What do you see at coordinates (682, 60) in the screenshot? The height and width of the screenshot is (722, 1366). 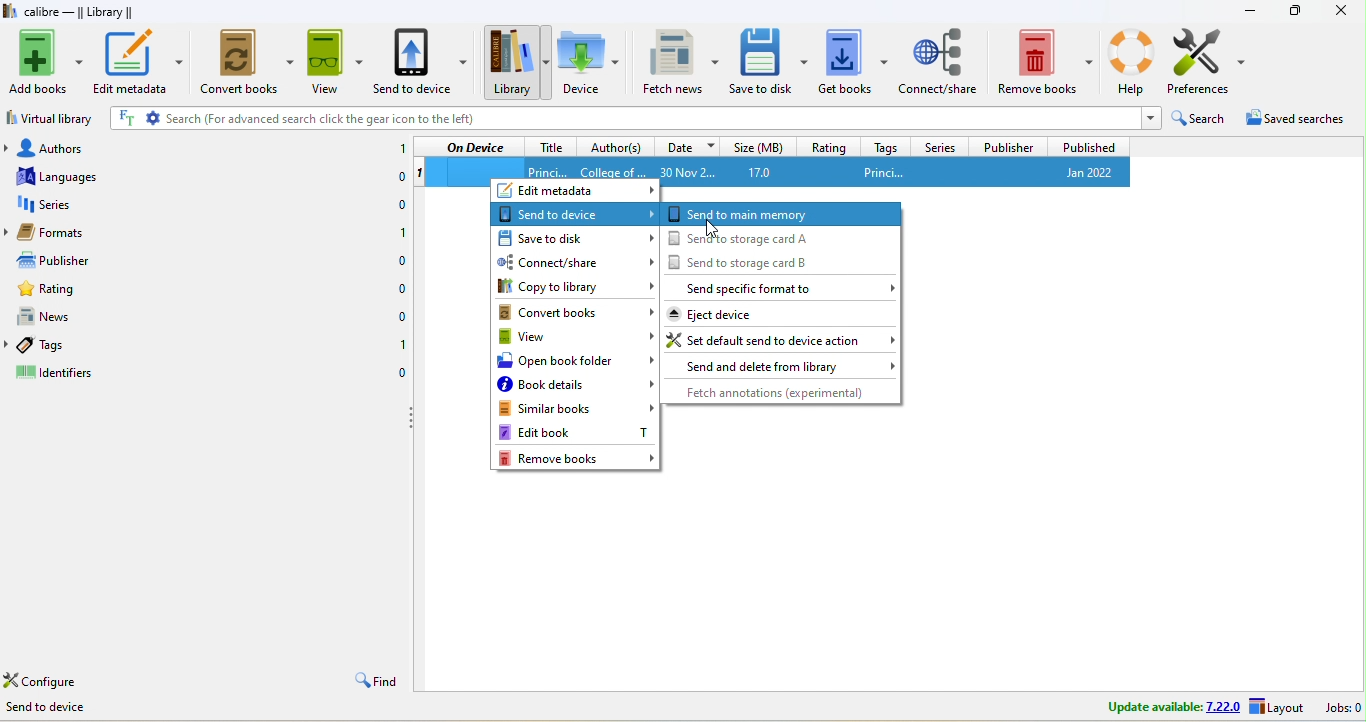 I see `fetch news` at bounding box center [682, 60].